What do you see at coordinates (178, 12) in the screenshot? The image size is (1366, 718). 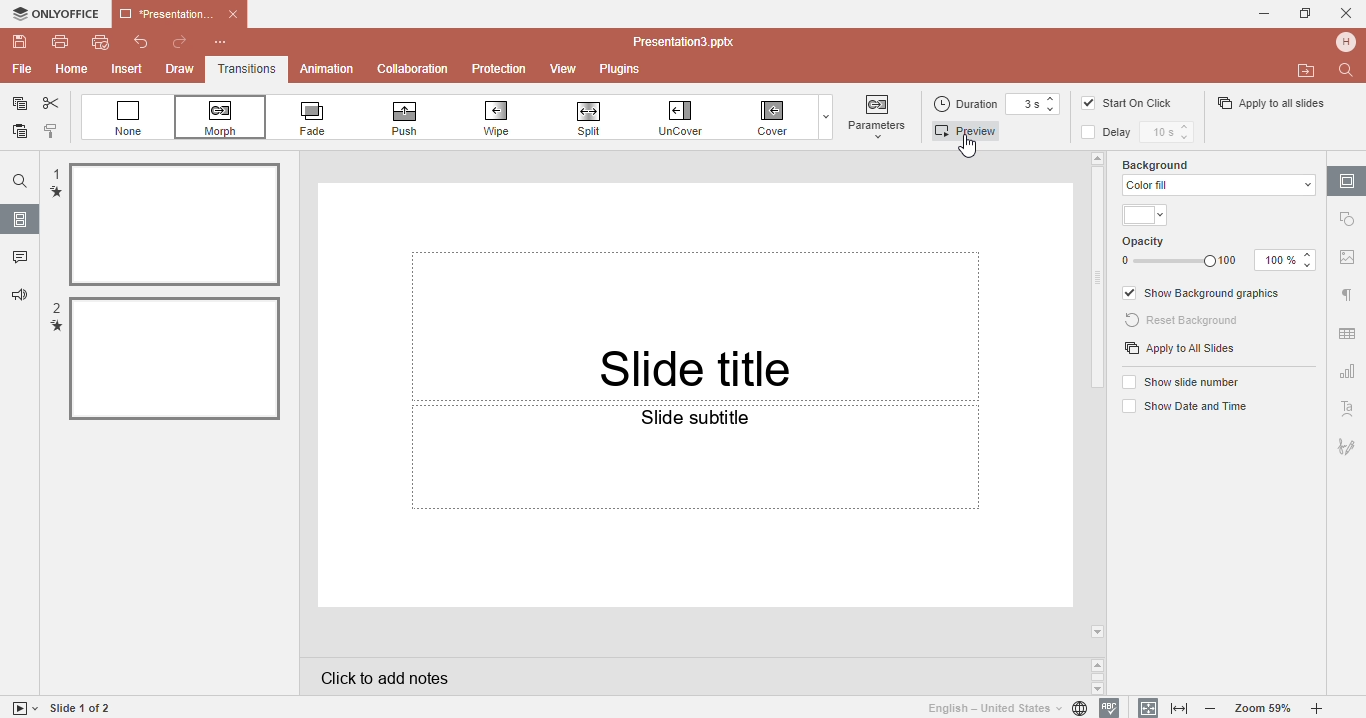 I see `Document name` at bounding box center [178, 12].